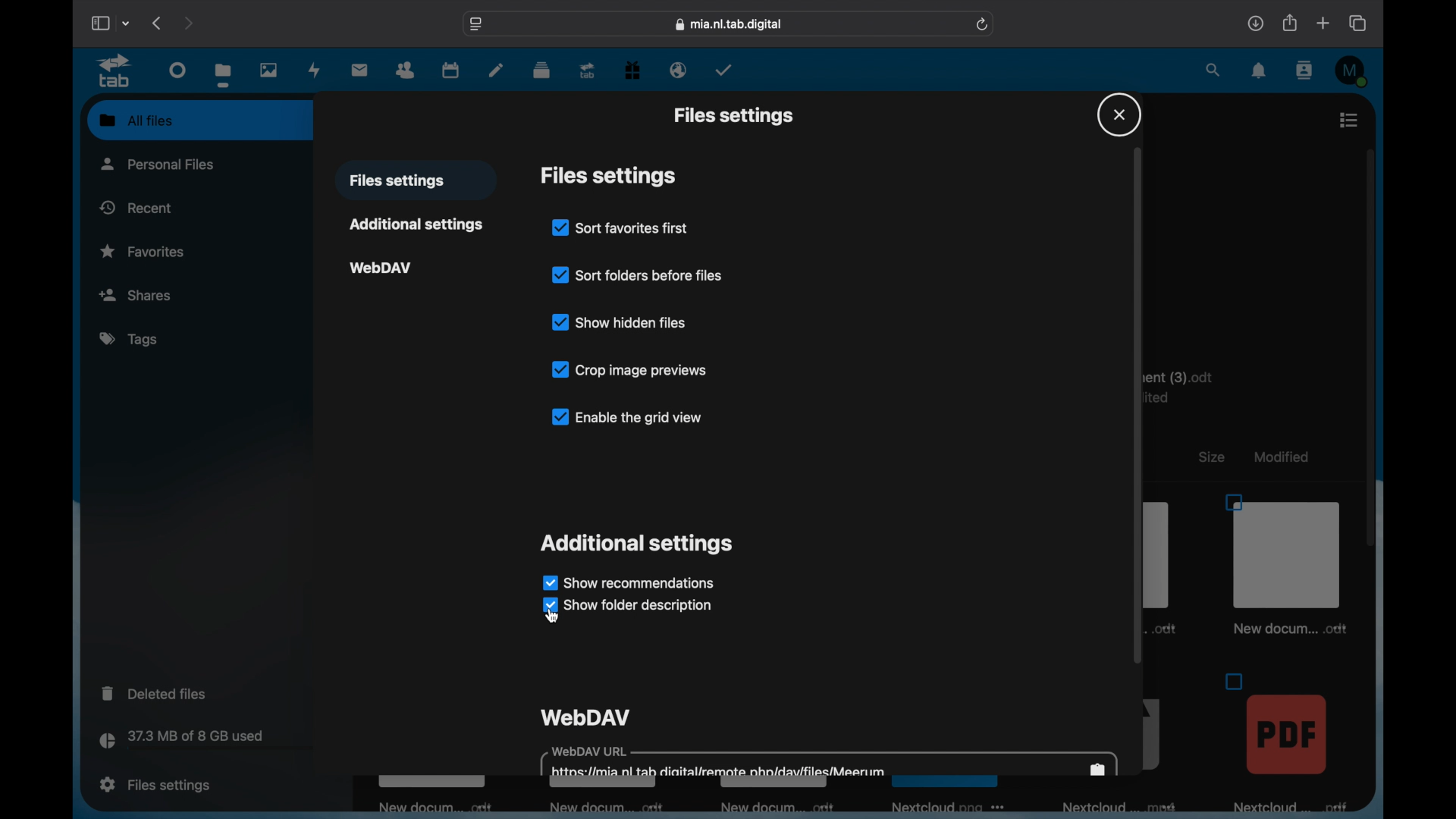 This screenshot has height=819, width=1456. Describe the element at coordinates (143, 252) in the screenshot. I see `favorites` at that location.